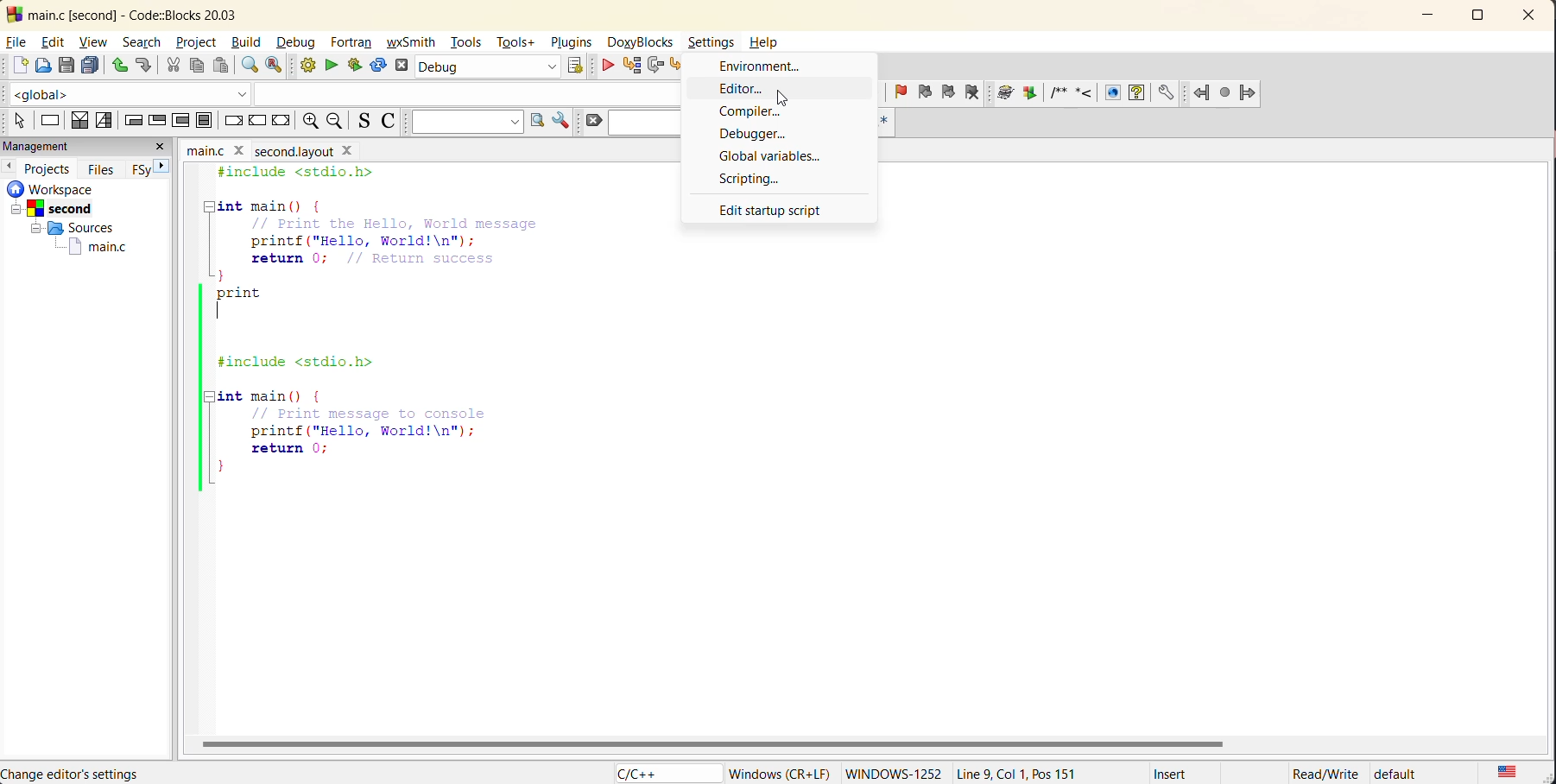 The image size is (1556, 784). I want to click on clear, so click(594, 121).